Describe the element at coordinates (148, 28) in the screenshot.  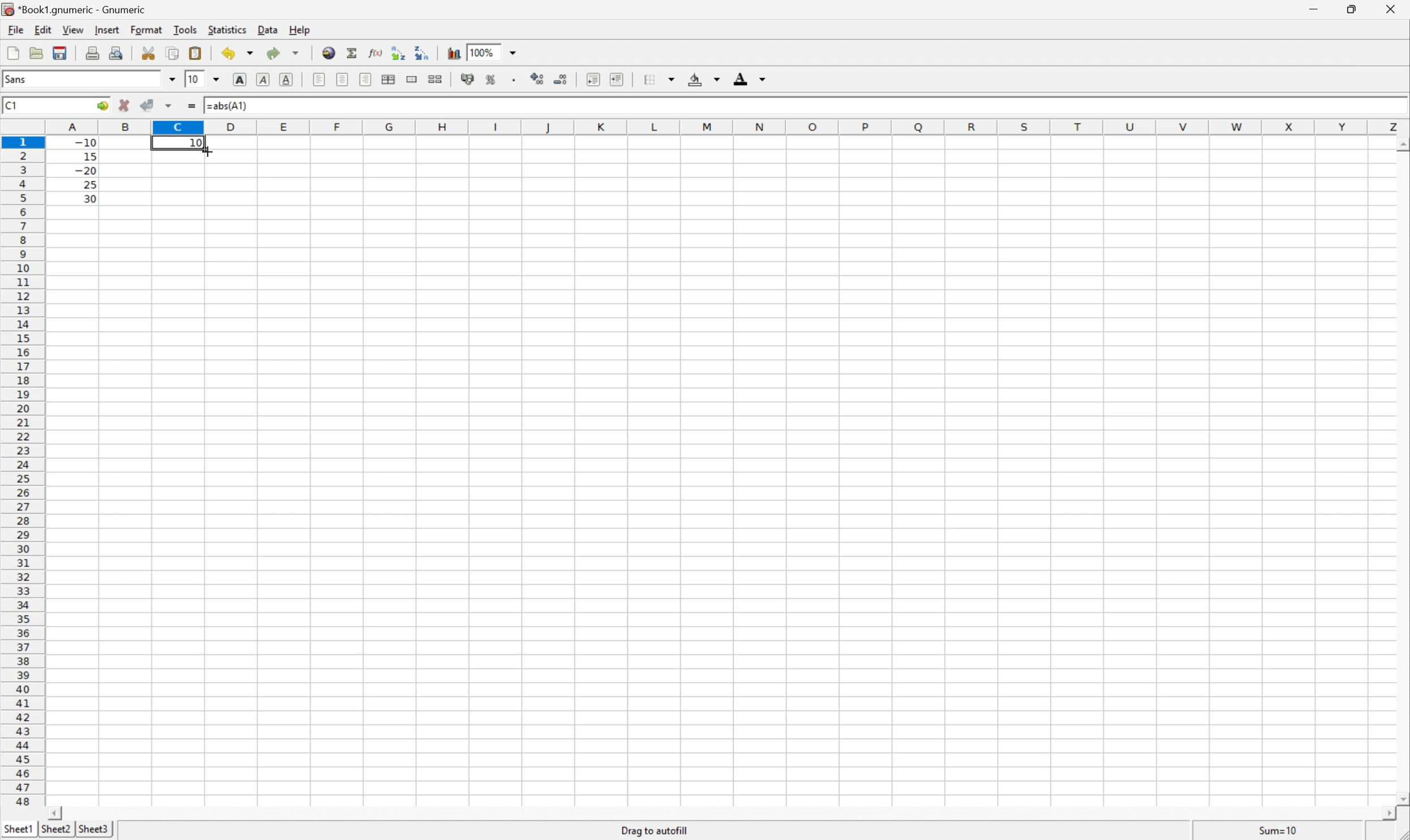
I see `Format` at that location.